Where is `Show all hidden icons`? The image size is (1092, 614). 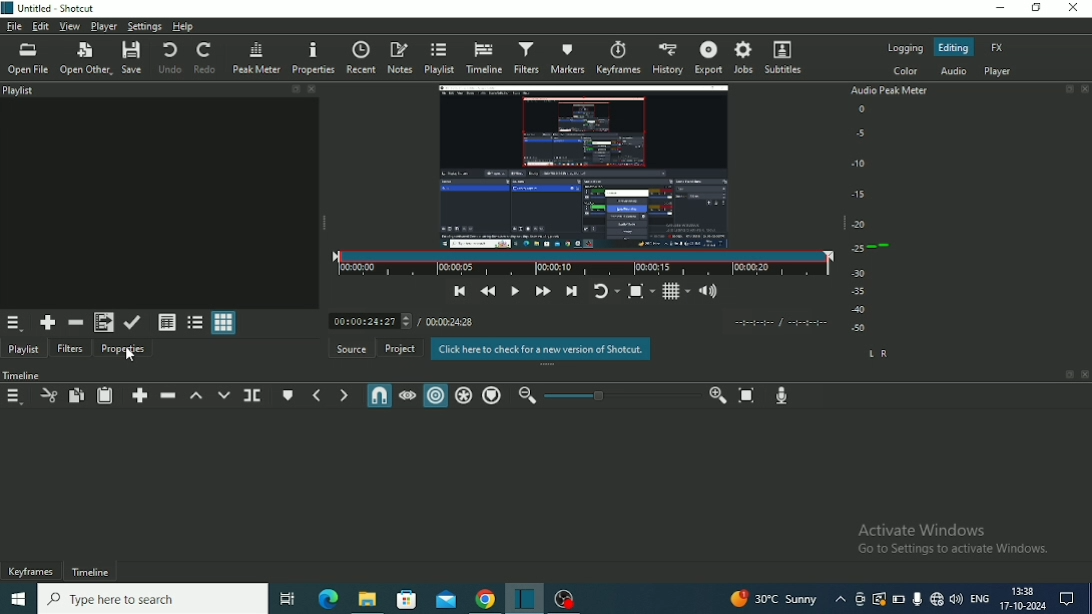 Show all hidden icons is located at coordinates (840, 600).